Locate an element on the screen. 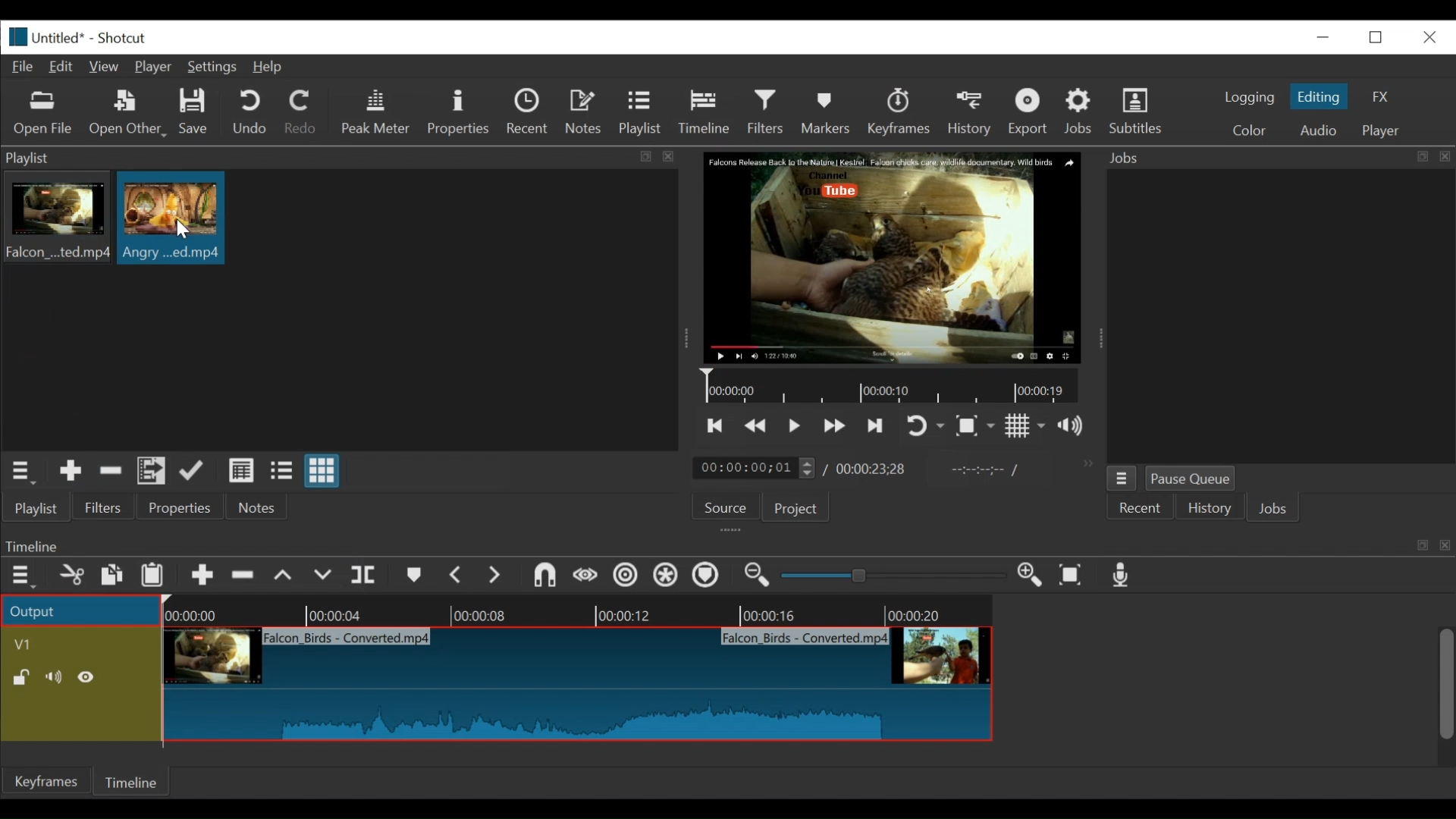 The image size is (1456, 819). Timeline Panel is located at coordinates (726, 545).